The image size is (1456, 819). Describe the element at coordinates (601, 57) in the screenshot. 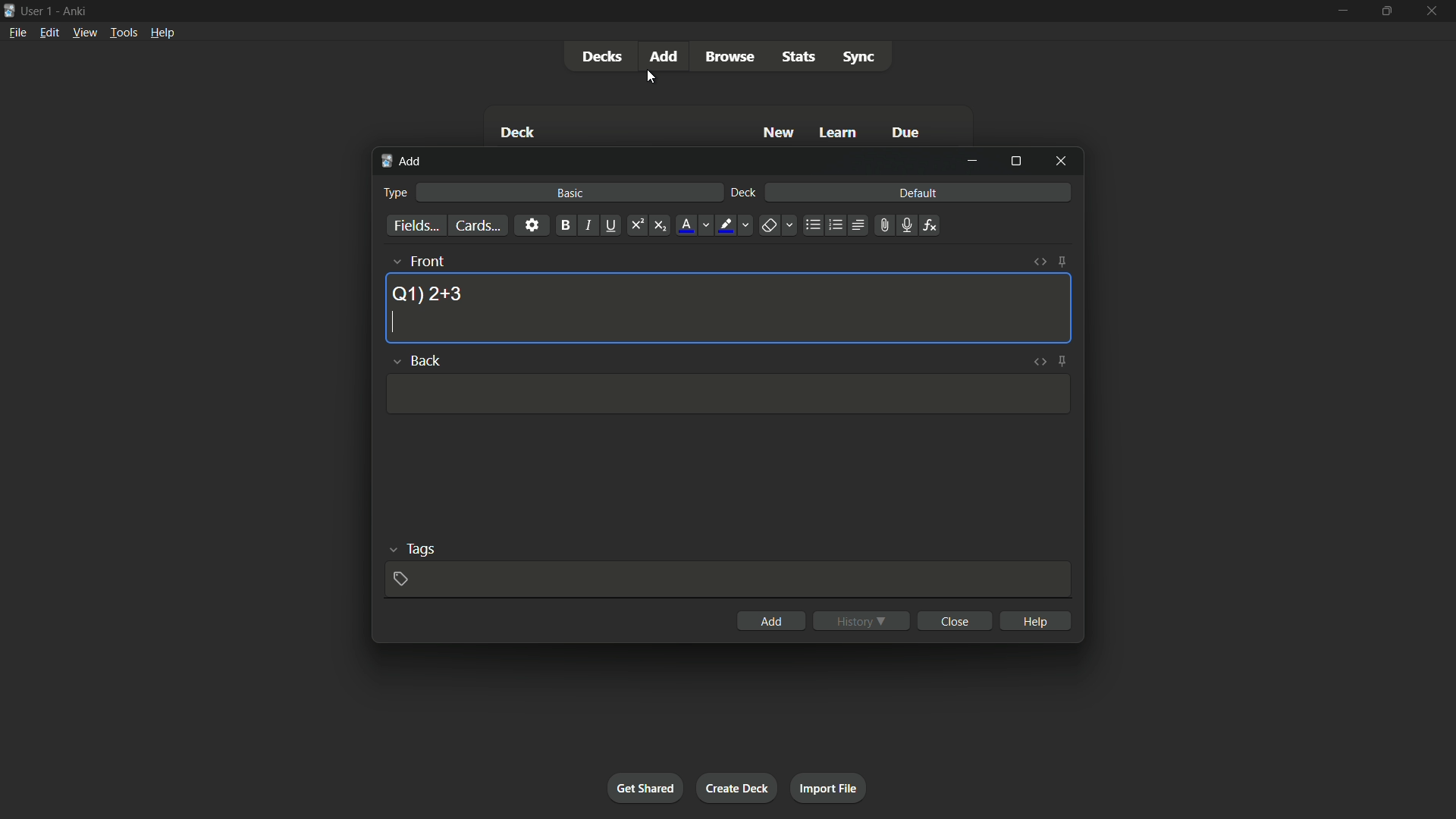

I see `decks` at that location.